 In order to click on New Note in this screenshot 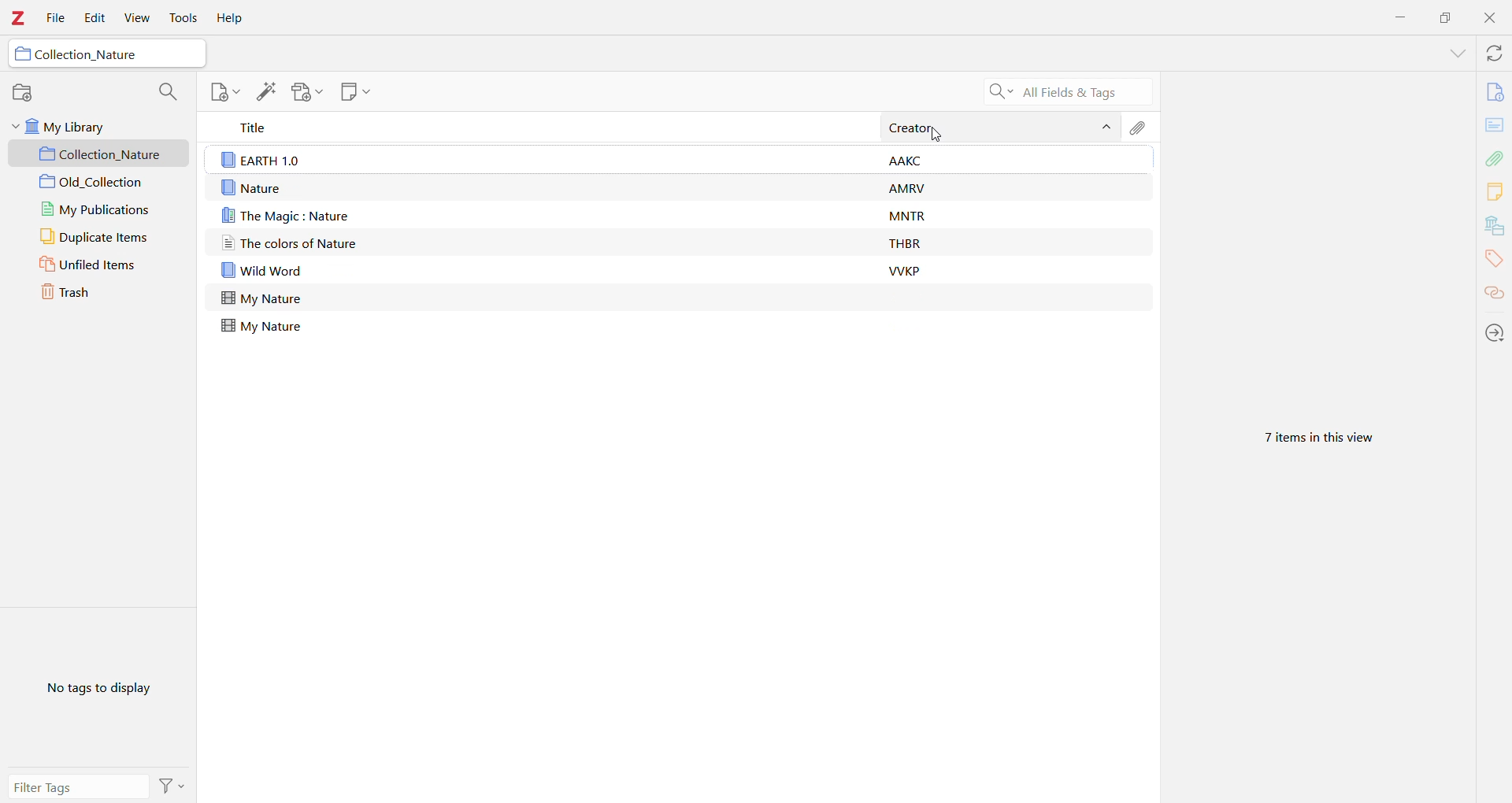, I will do `click(222, 91)`.